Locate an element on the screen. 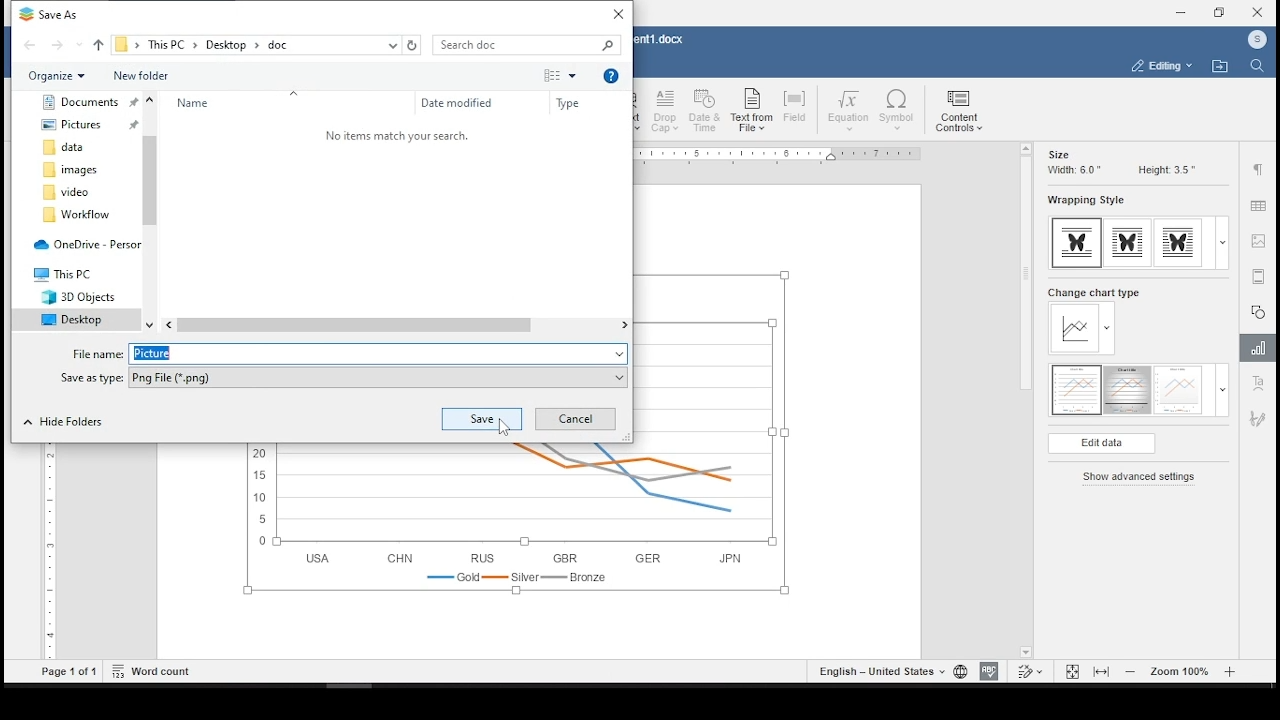  Workflow is located at coordinates (83, 215).